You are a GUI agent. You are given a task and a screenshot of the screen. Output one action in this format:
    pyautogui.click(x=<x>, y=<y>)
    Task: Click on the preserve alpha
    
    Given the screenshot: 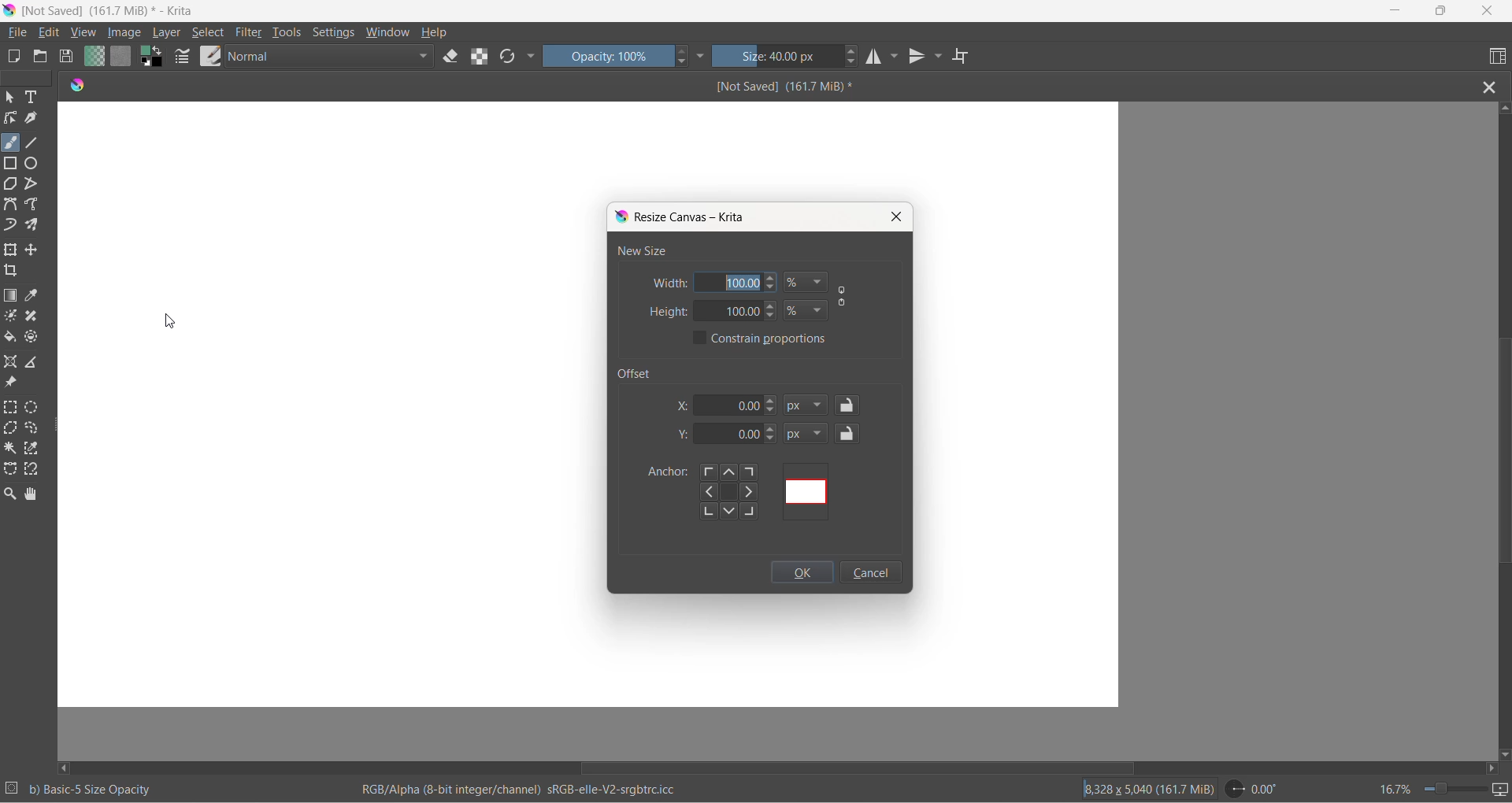 What is the action you would take?
    pyautogui.click(x=483, y=56)
    